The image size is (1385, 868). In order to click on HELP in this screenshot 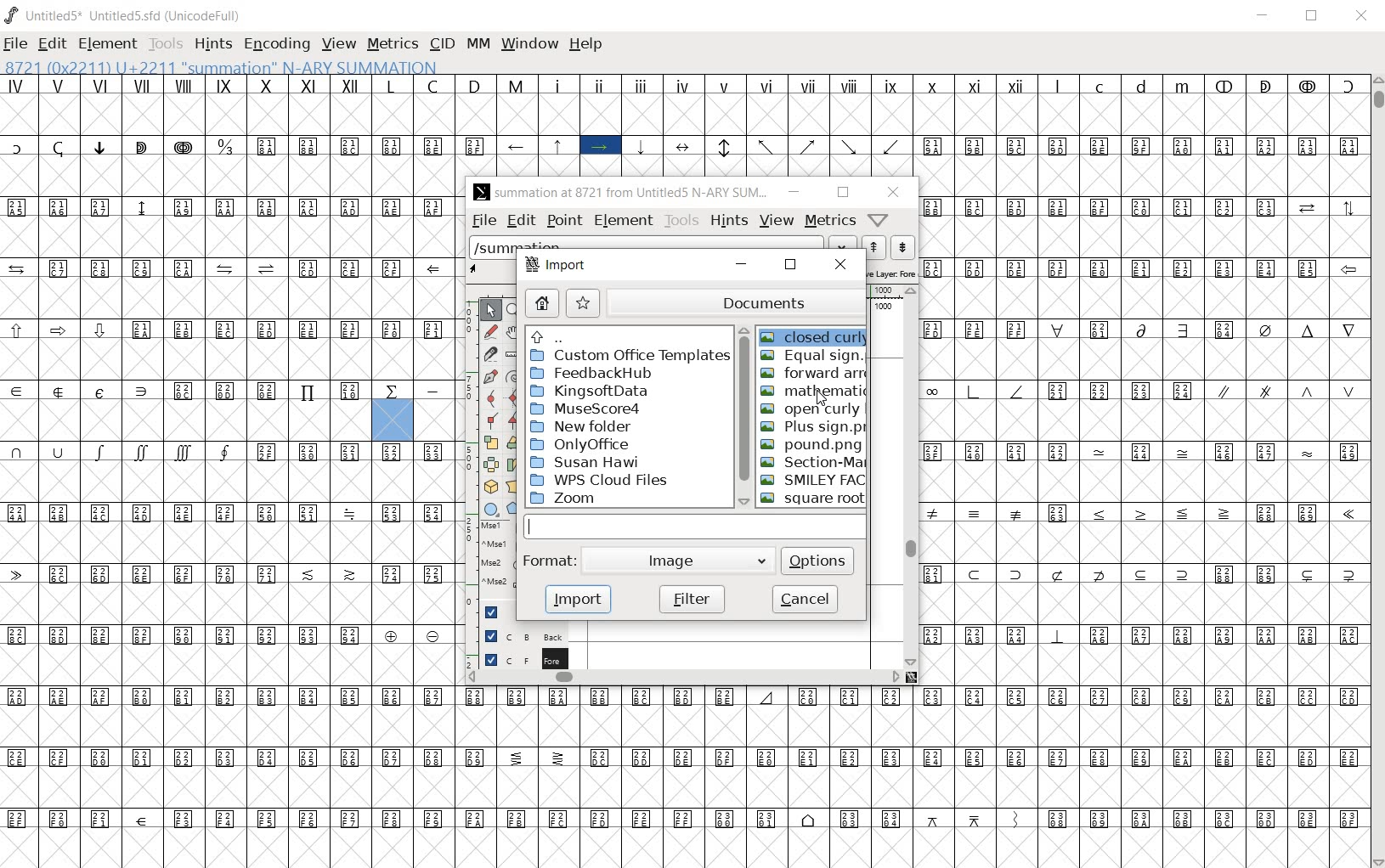, I will do `click(589, 46)`.